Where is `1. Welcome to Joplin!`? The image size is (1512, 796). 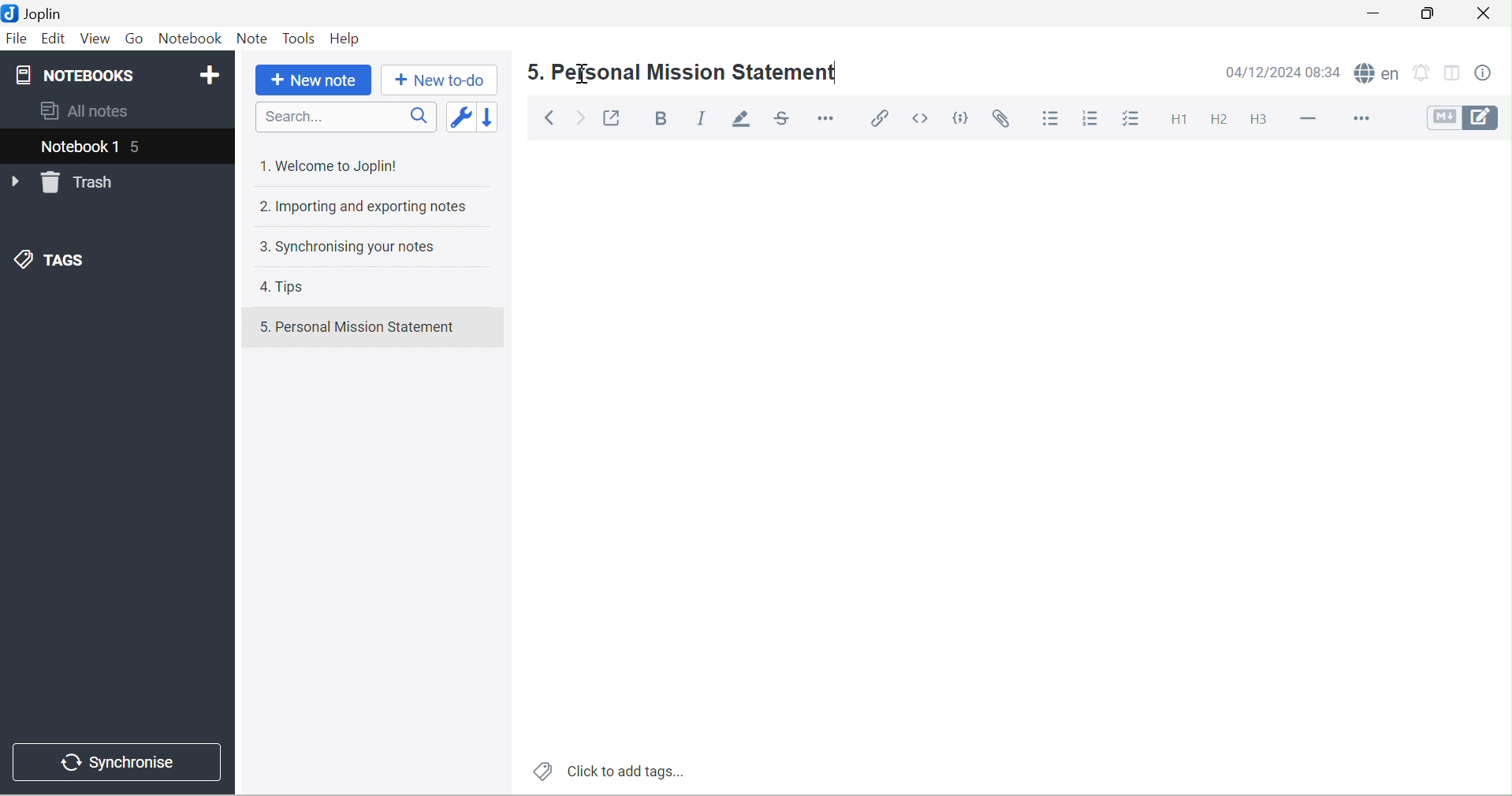 1. Welcome to Joplin! is located at coordinates (335, 165).